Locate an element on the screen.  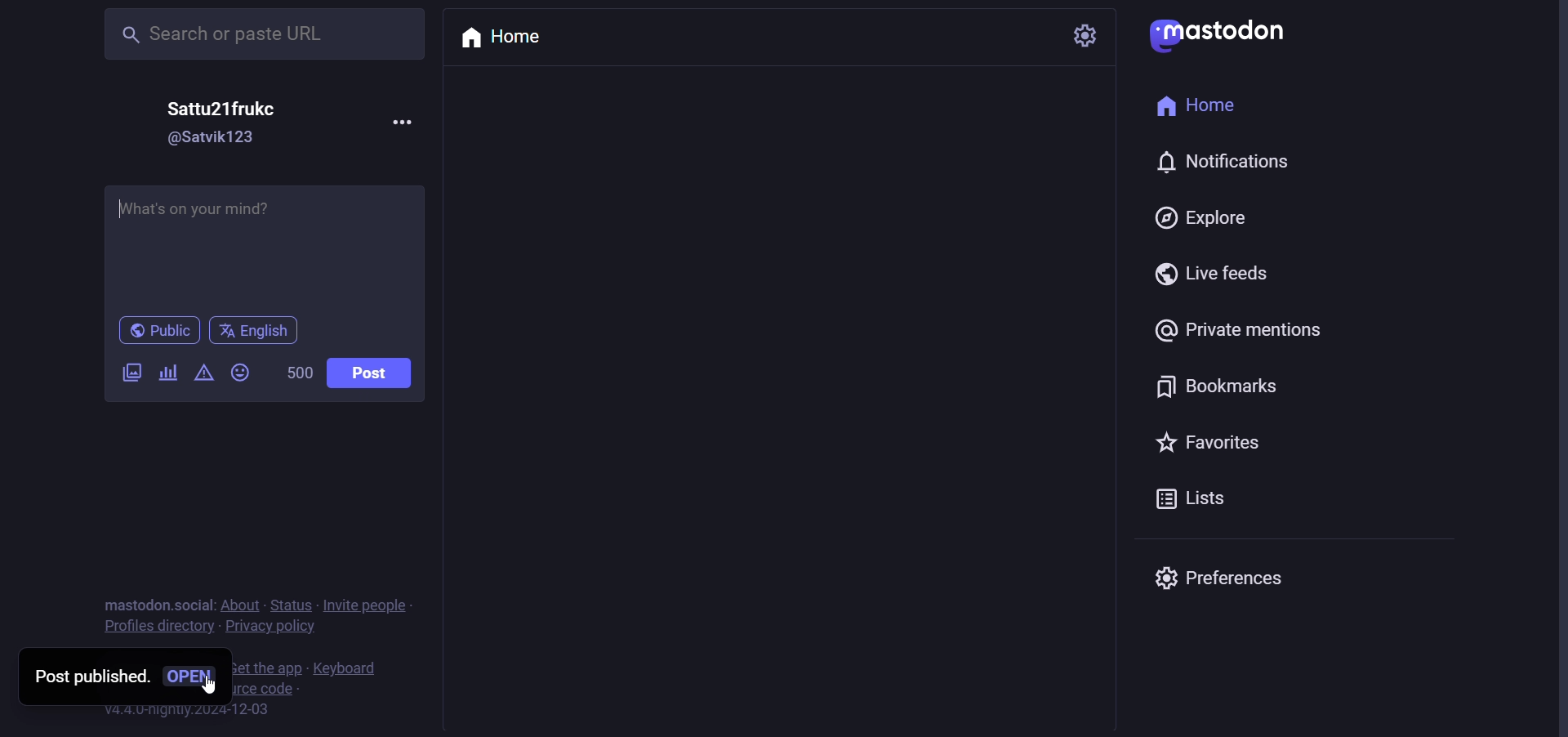
privacy policy is located at coordinates (269, 629).